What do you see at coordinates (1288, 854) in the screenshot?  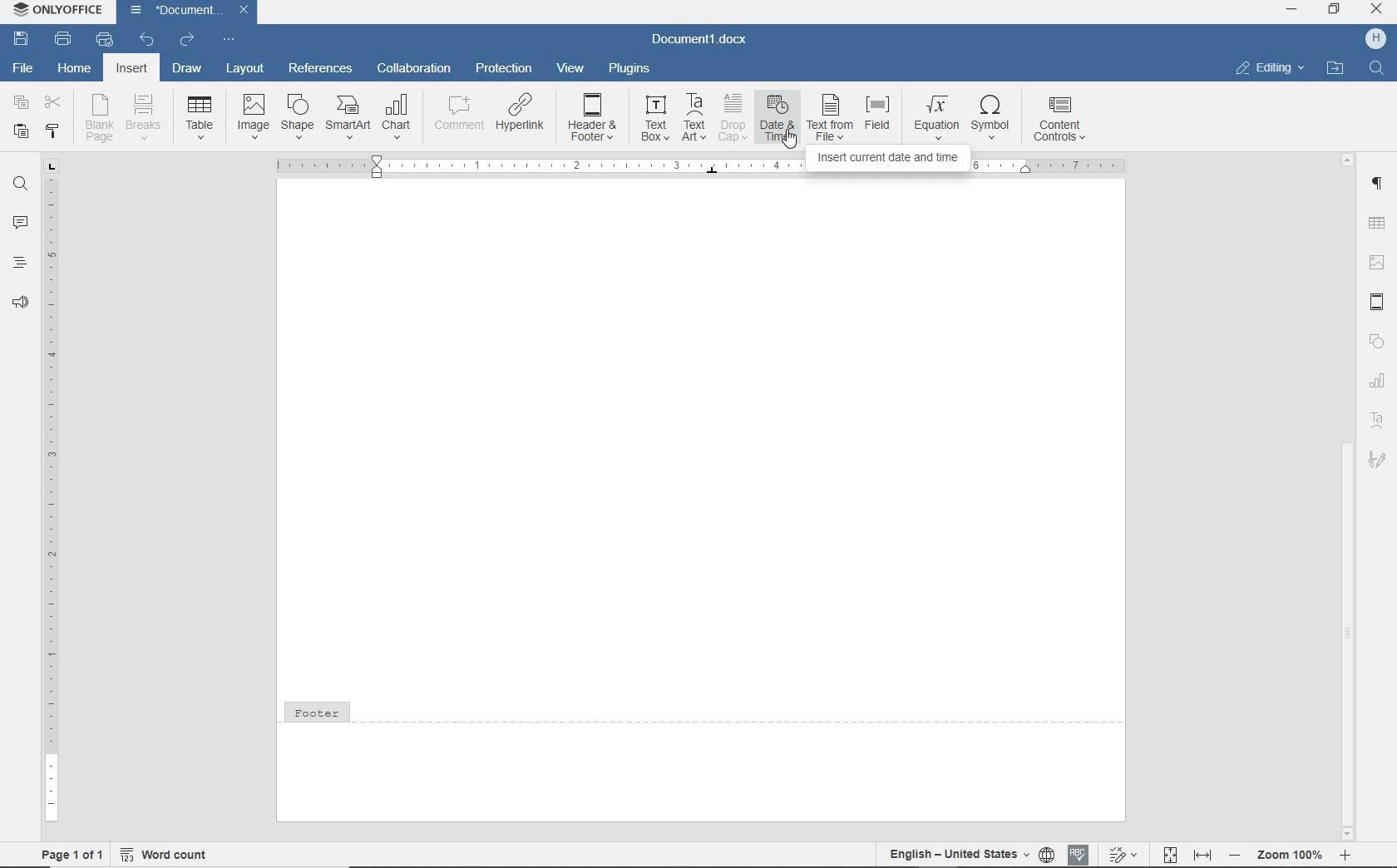 I see `zoom 100%` at bounding box center [1288, 854].